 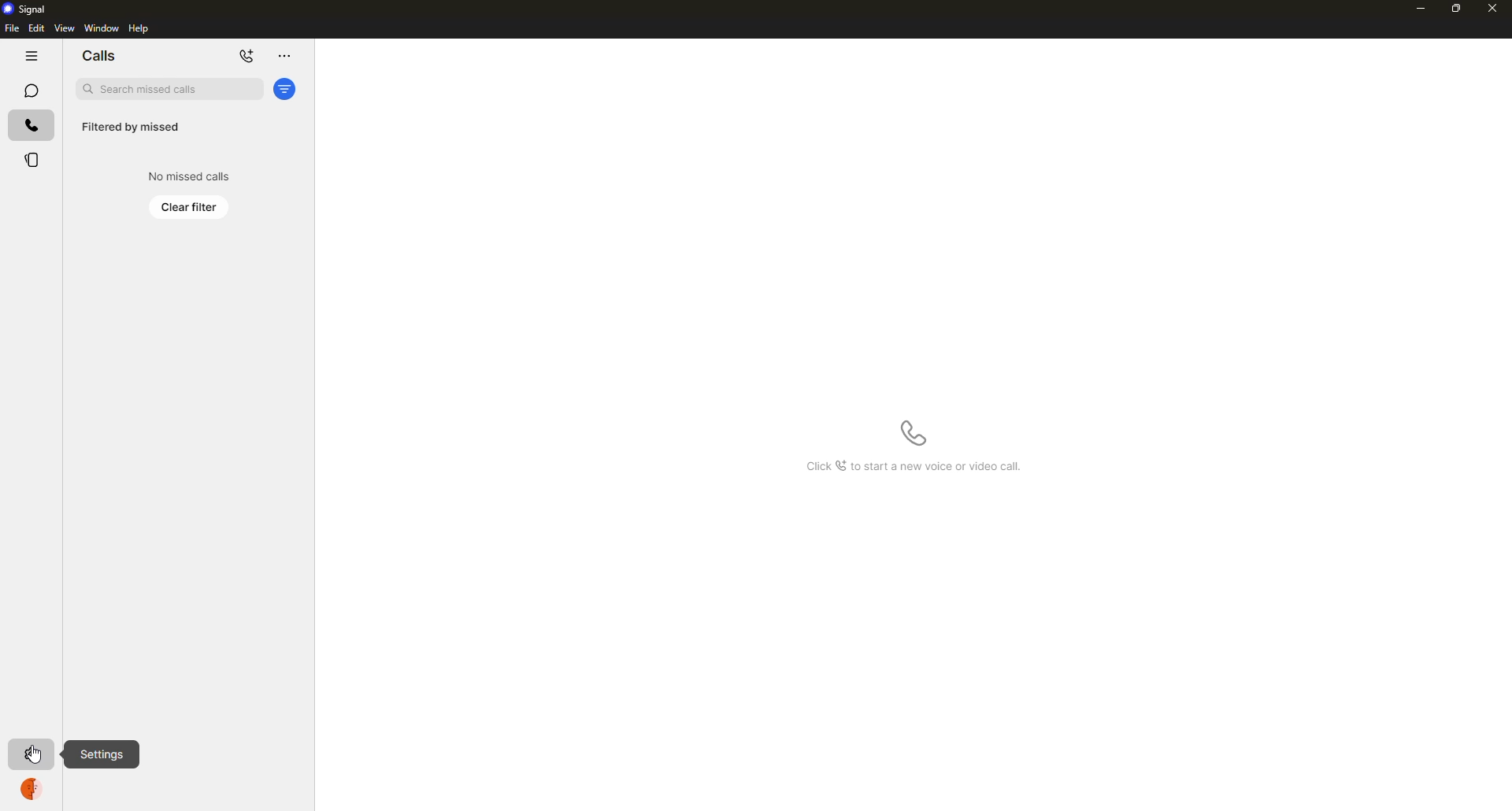 I want to click on window, so click(x=102, y=28).